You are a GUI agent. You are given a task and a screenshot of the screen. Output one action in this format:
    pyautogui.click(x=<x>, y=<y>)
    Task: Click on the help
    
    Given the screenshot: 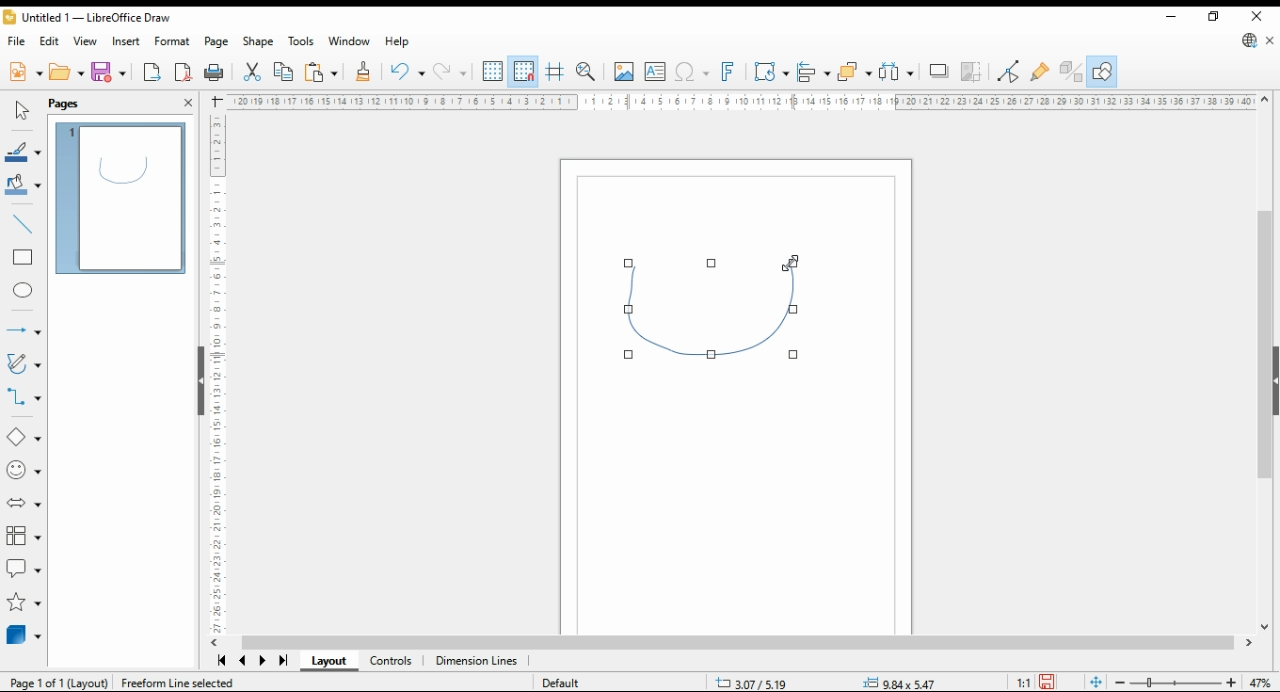 What is the action you would take?
    pyautogui.click(x=398, y=41)
    